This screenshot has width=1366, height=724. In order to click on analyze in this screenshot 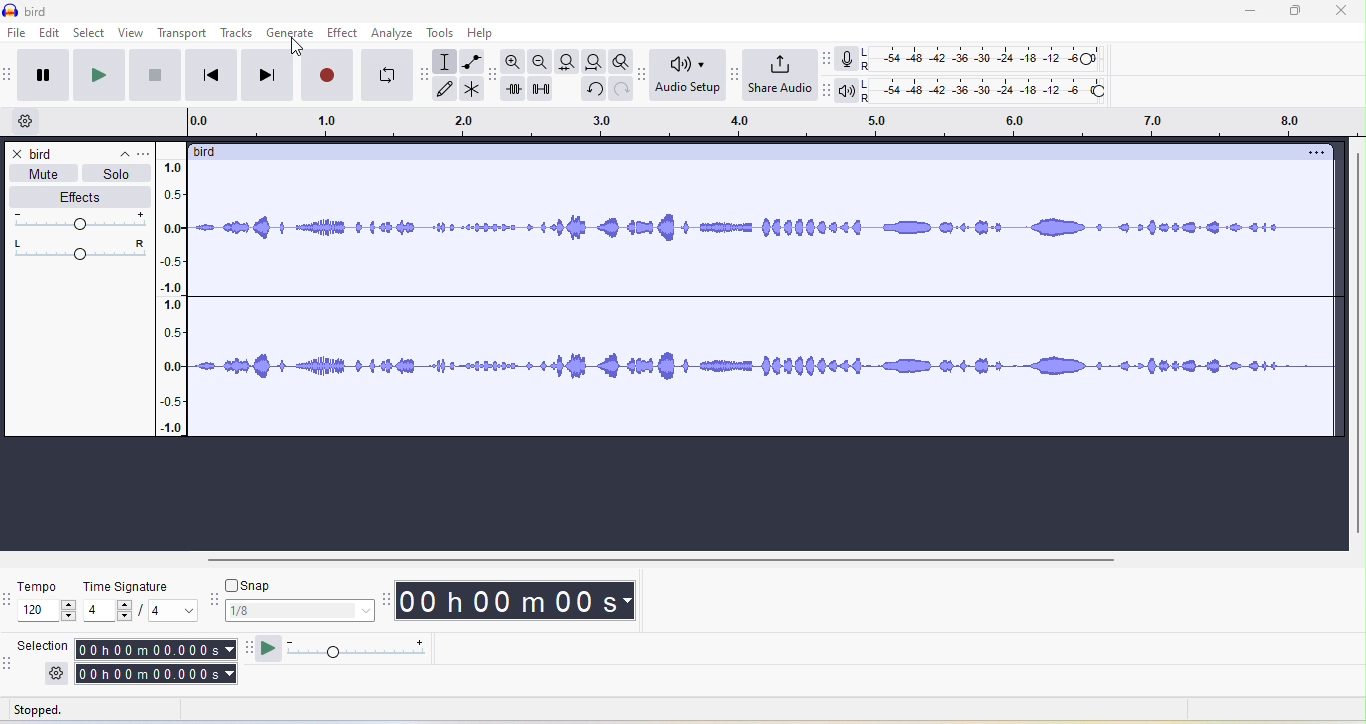, I will do `click(397, 34)`.